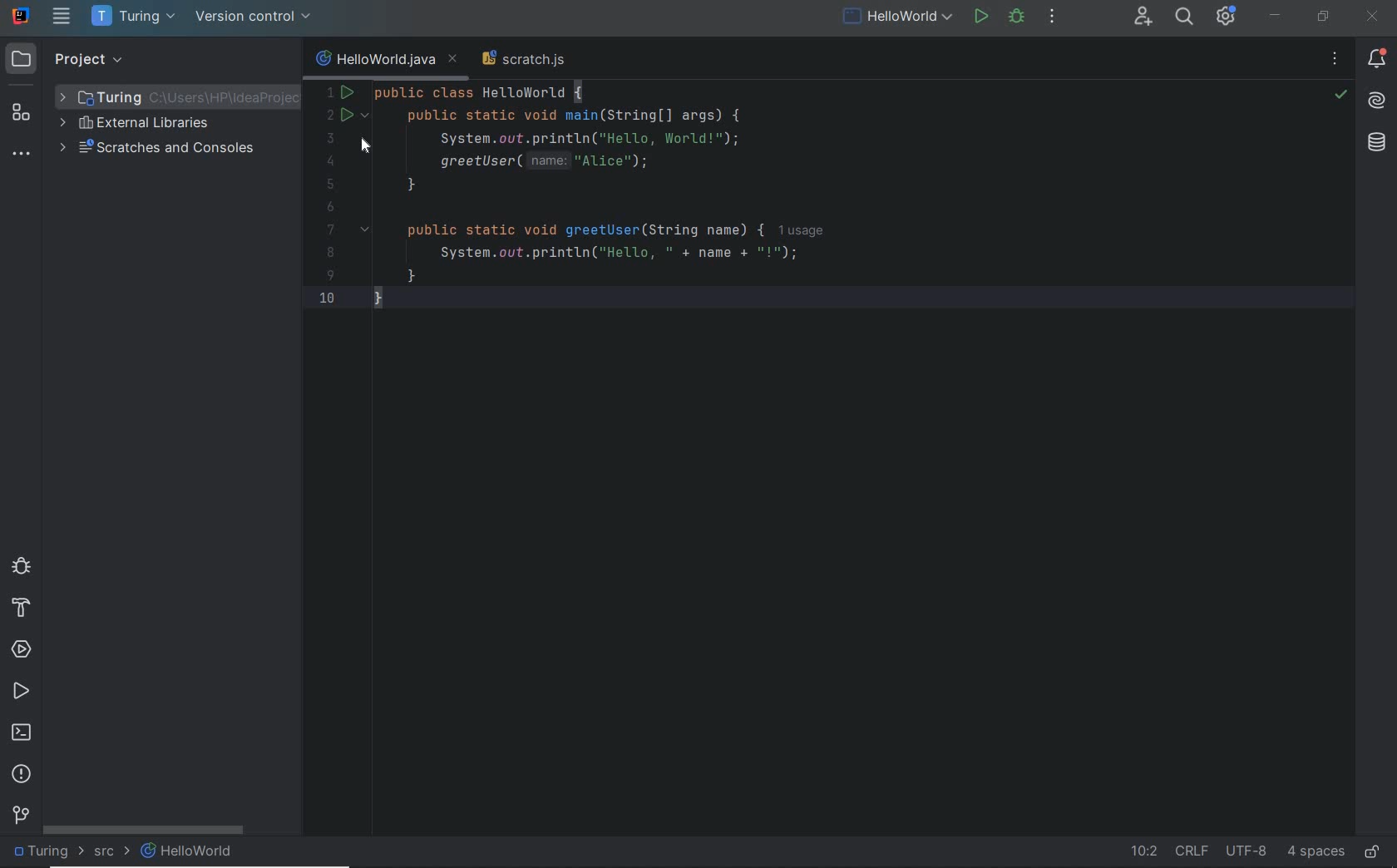  I want to click on run, so click(981, 17).